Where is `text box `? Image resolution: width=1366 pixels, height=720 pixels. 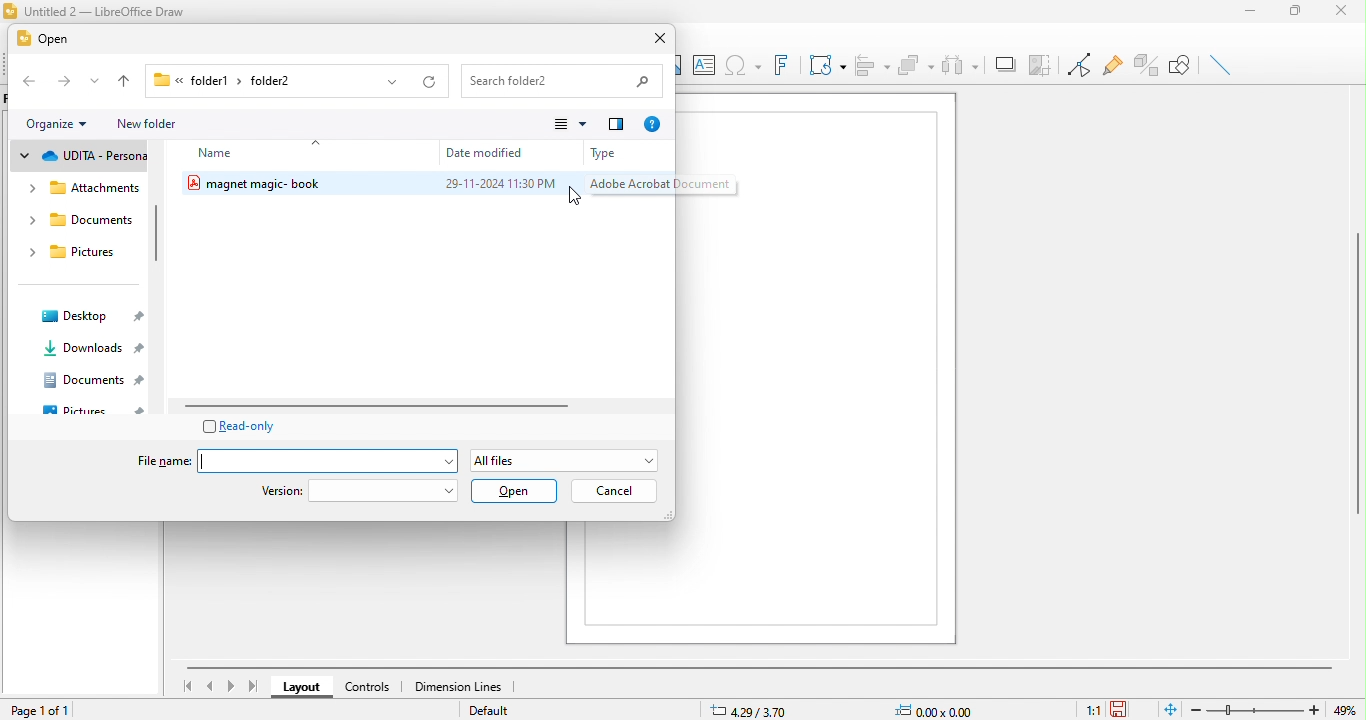 text box  is located at coordinates (702, 63).